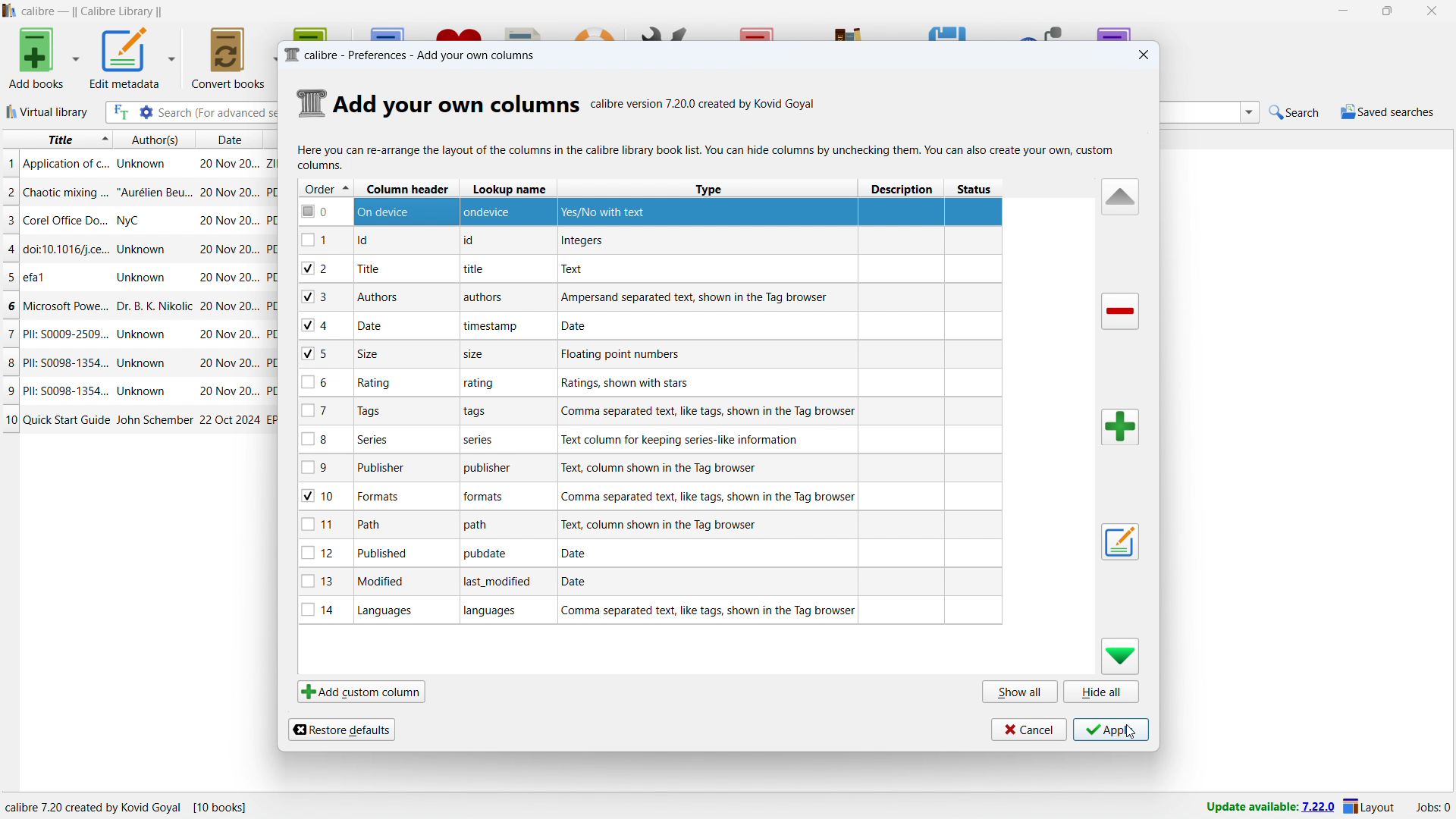 Image resolution: width=1456 pixels, height=819 pixels. Describe the element at coordinates (709, 497) in the screenshot. I see `Comma separated text, like tags, shown in the Tag browser` at that location.